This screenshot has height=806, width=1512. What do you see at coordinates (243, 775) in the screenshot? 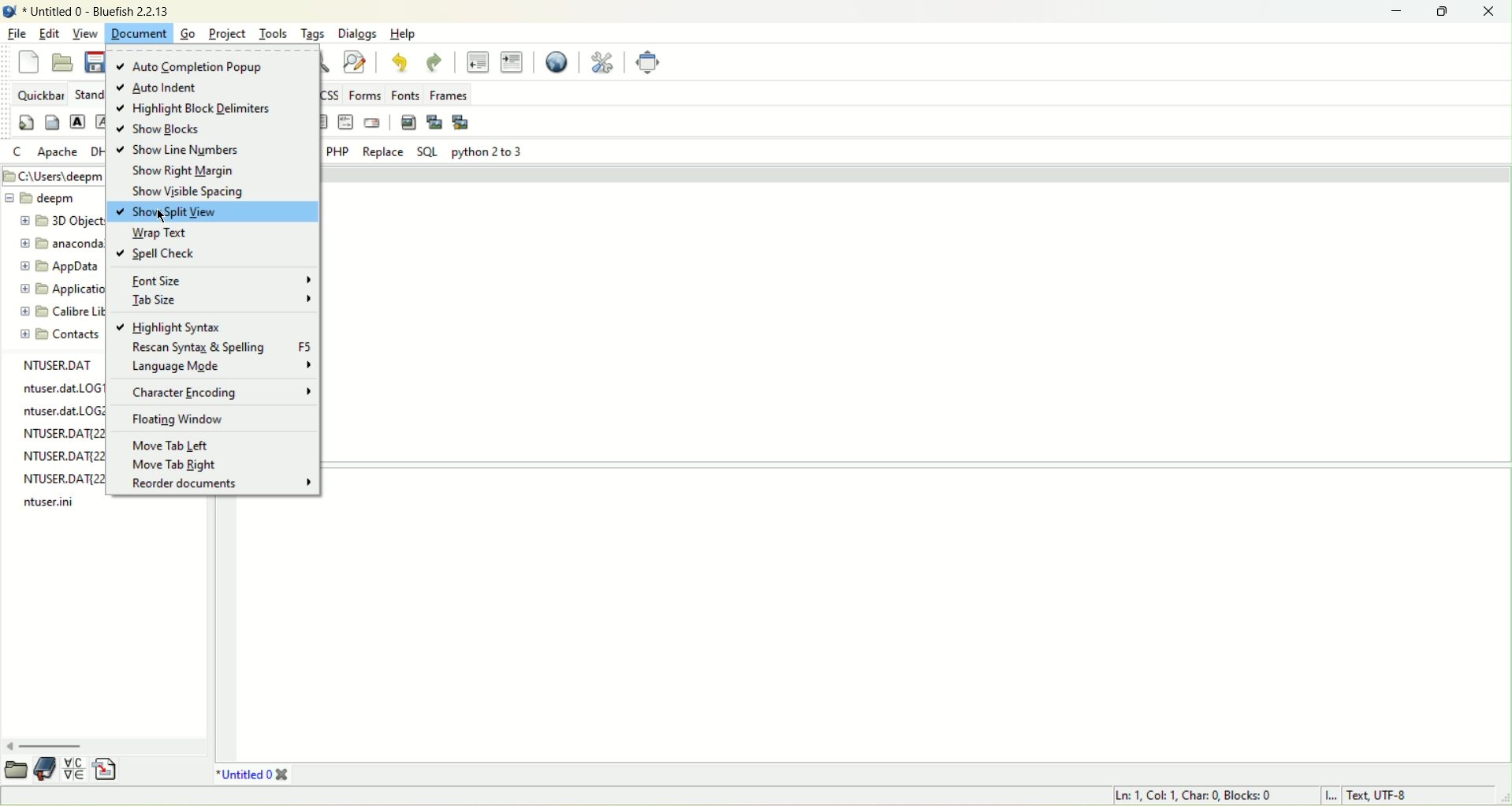
I see `document tab` at bounding box center [243, 775].